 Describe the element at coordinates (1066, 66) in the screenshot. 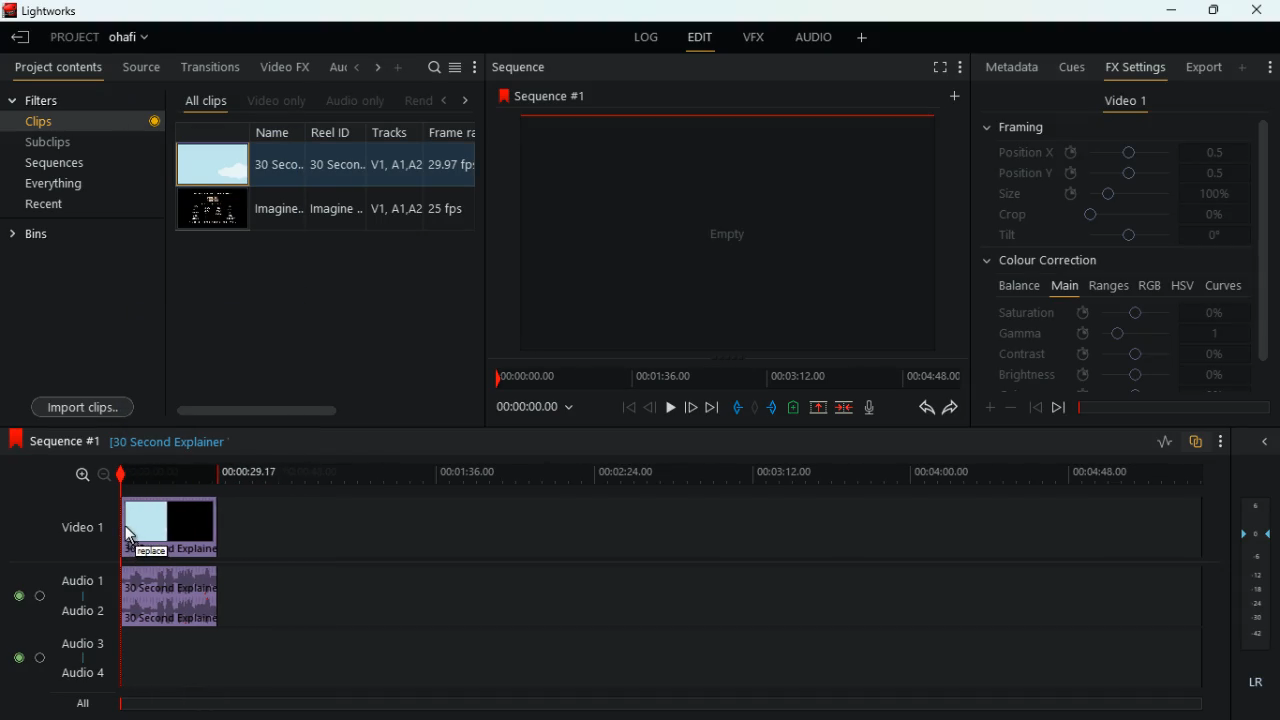

I see `cues` at that location.